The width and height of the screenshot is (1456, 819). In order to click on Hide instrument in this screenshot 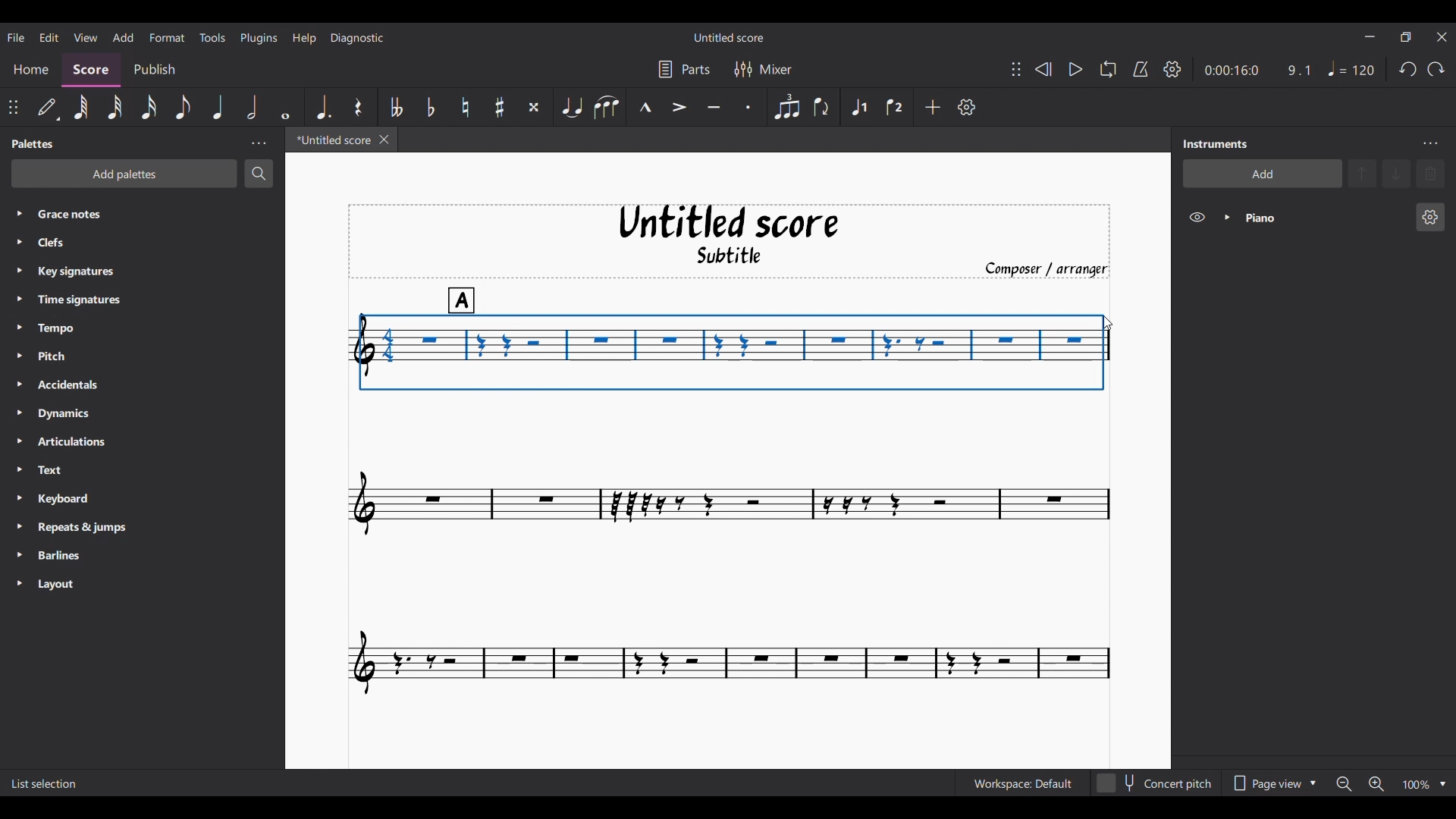, I will do `click(1197, 217)`.